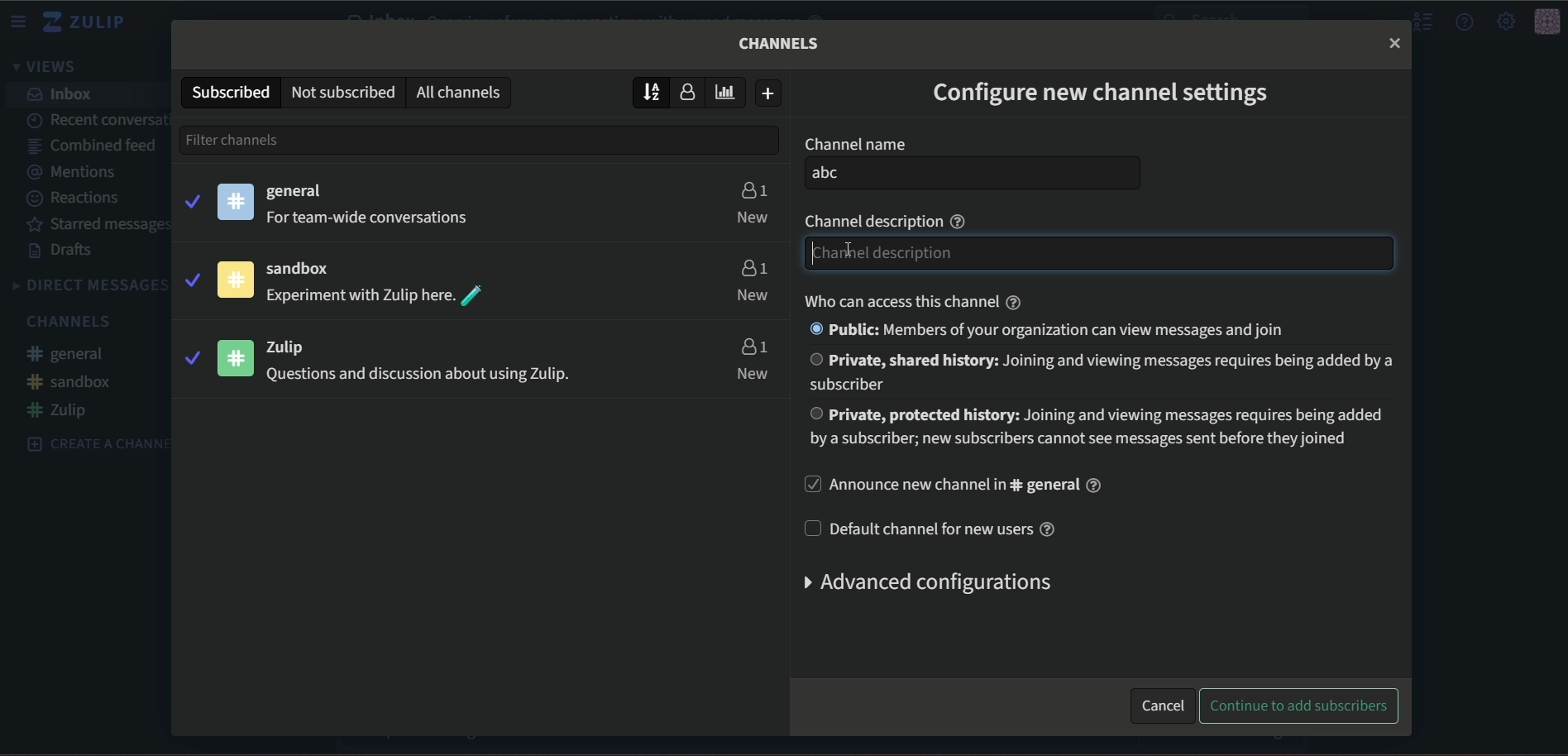 The width and height of the screenshot is (1568, 756). Describe the element at coordinates (233, 280) in the screenshot. I see `icon` at that location.